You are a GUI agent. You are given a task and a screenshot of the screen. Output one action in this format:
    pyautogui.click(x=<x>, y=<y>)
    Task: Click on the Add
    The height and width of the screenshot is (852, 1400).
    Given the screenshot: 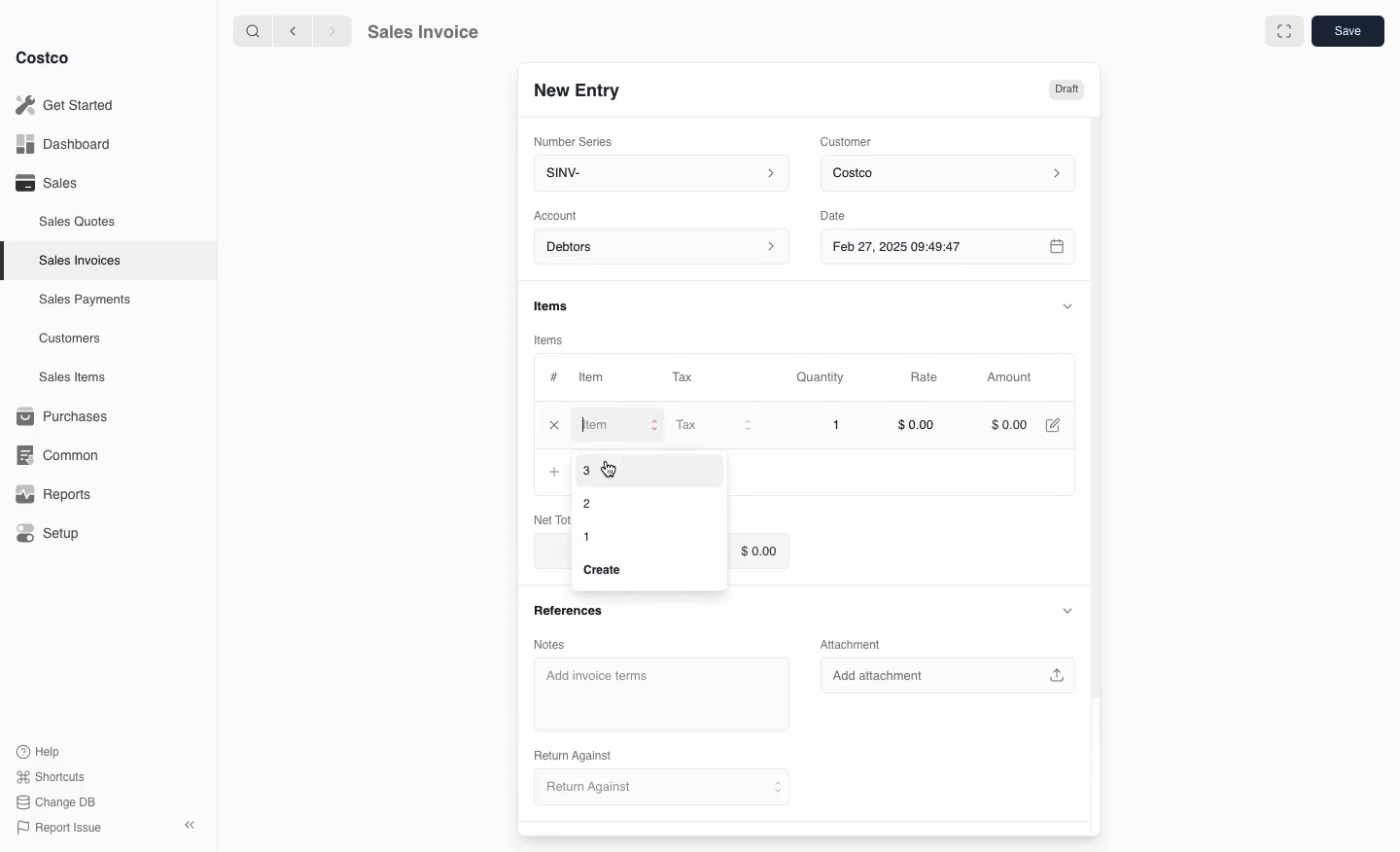 What is the action you would take?
    pyautogui.click(x=555, y=472)
    